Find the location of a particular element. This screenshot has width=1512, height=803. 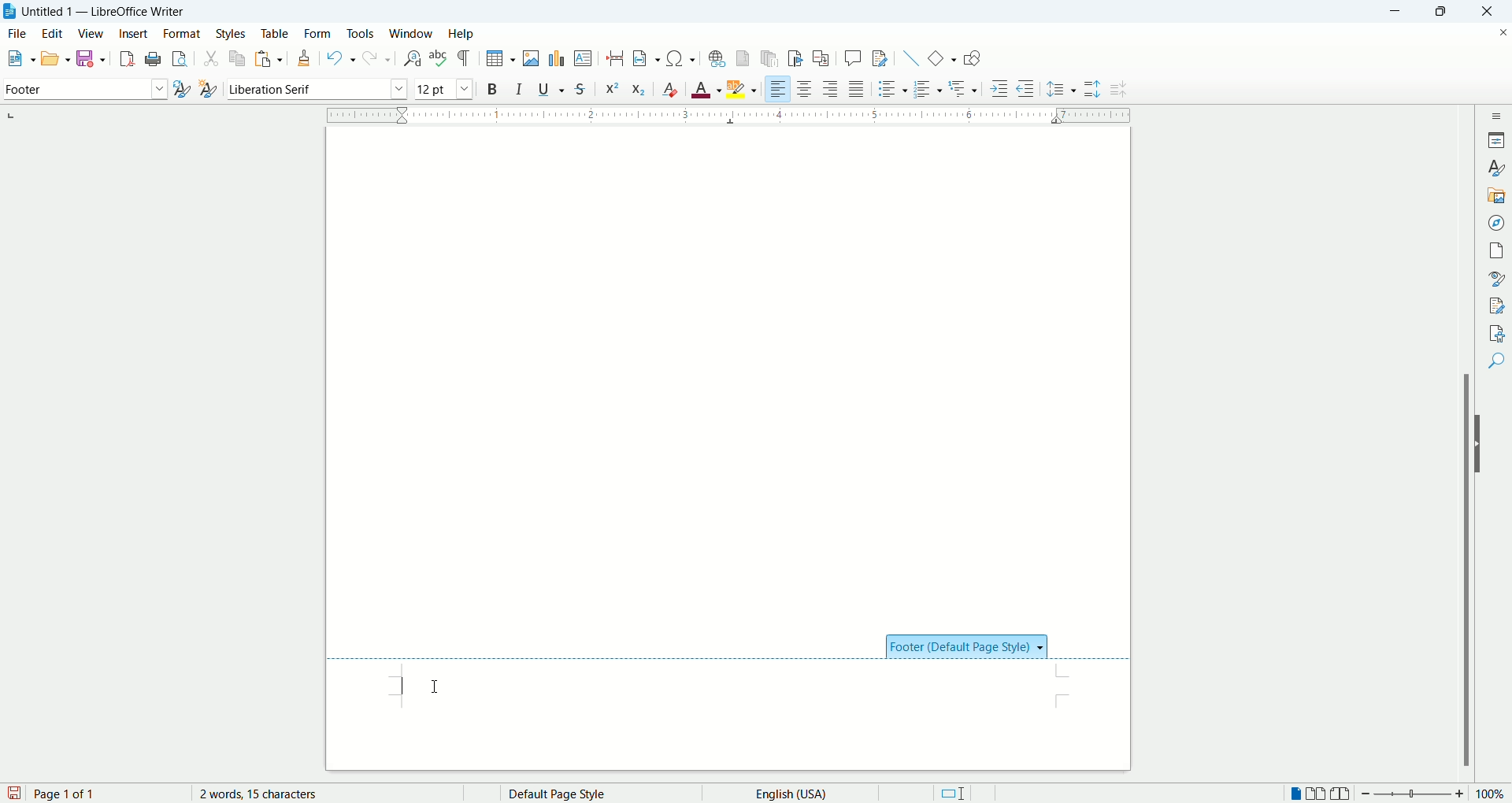

format is located at coordinates (181, 34).